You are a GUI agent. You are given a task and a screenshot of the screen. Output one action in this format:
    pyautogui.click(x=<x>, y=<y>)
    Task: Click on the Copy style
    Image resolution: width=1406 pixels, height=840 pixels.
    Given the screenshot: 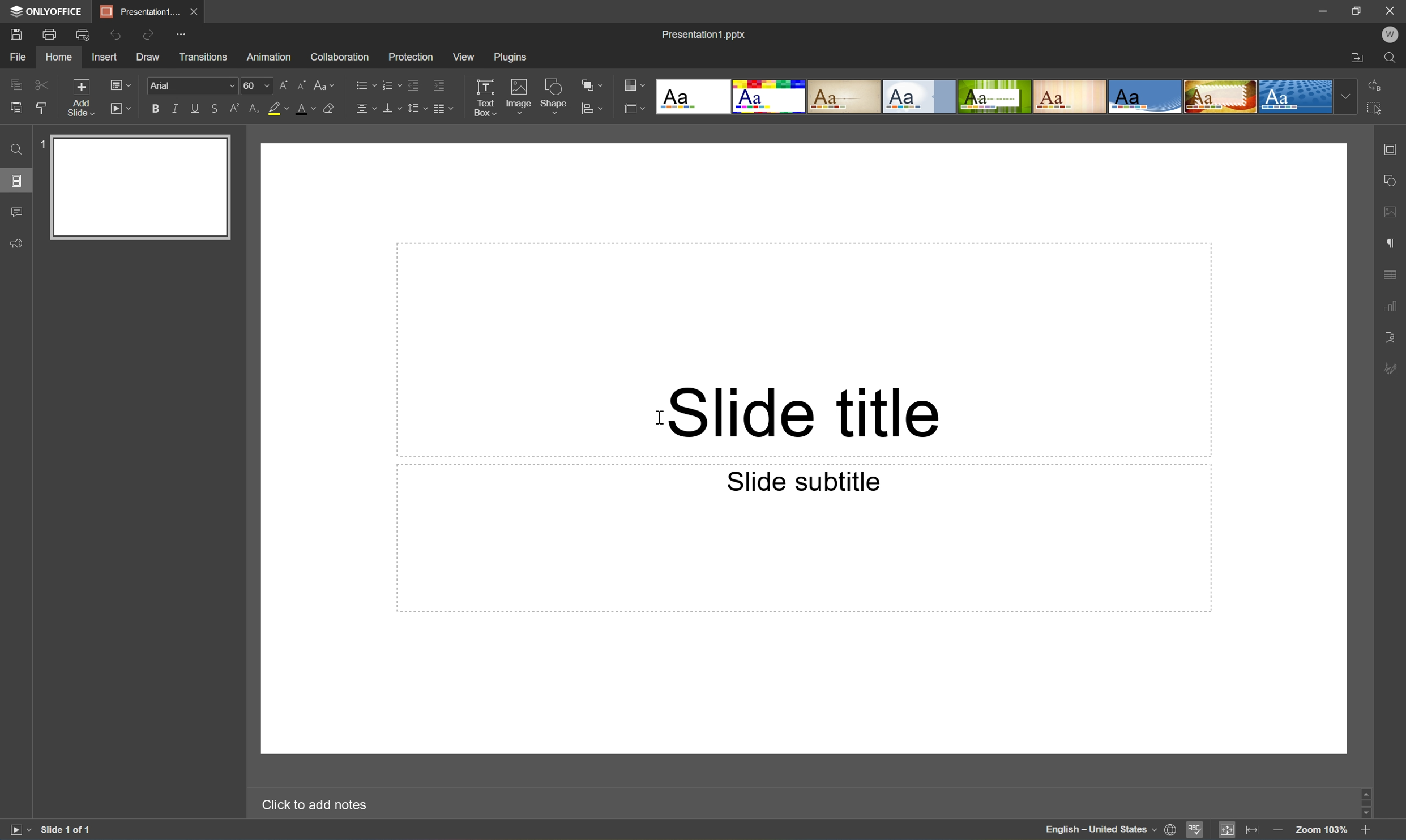 What is the action you would take?
    pyautogui.click(x=41, y=109)
    